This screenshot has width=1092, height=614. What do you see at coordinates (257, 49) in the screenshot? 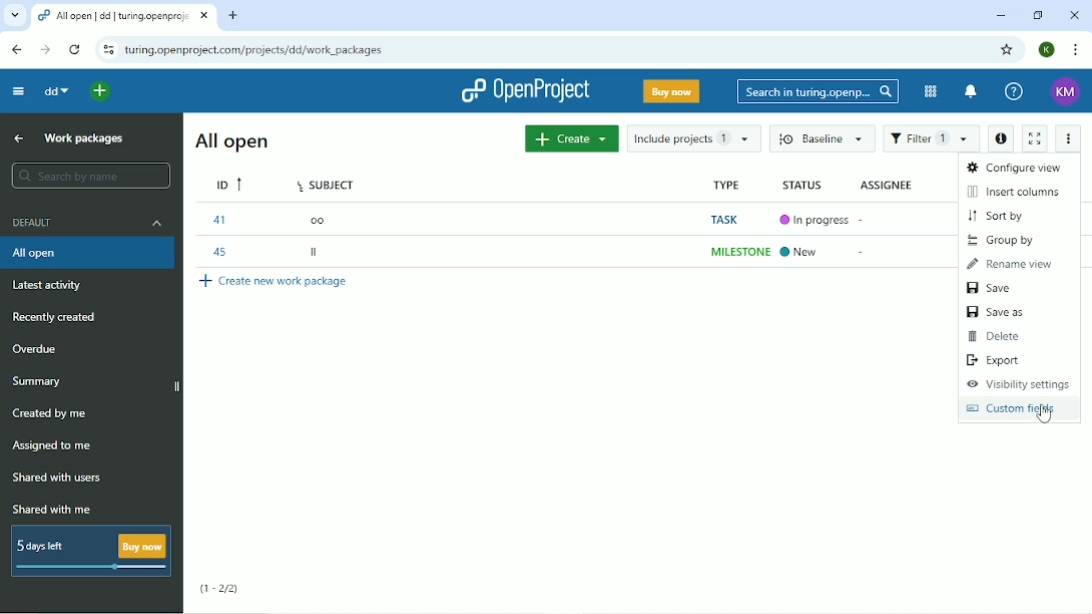
I see `Site` at bounding box center [257, 49].